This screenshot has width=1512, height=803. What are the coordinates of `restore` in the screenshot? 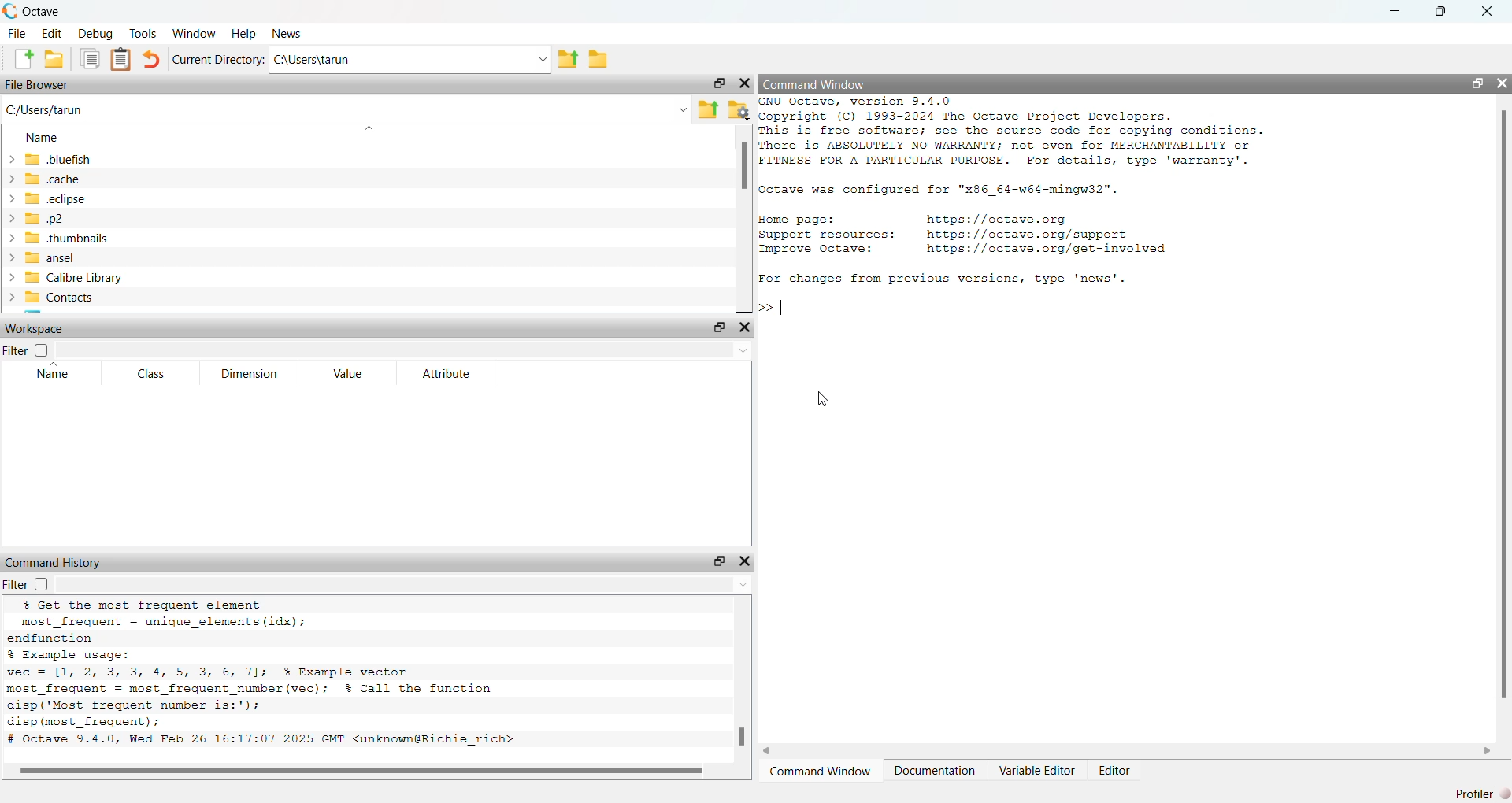 It's located at (1477, 83).